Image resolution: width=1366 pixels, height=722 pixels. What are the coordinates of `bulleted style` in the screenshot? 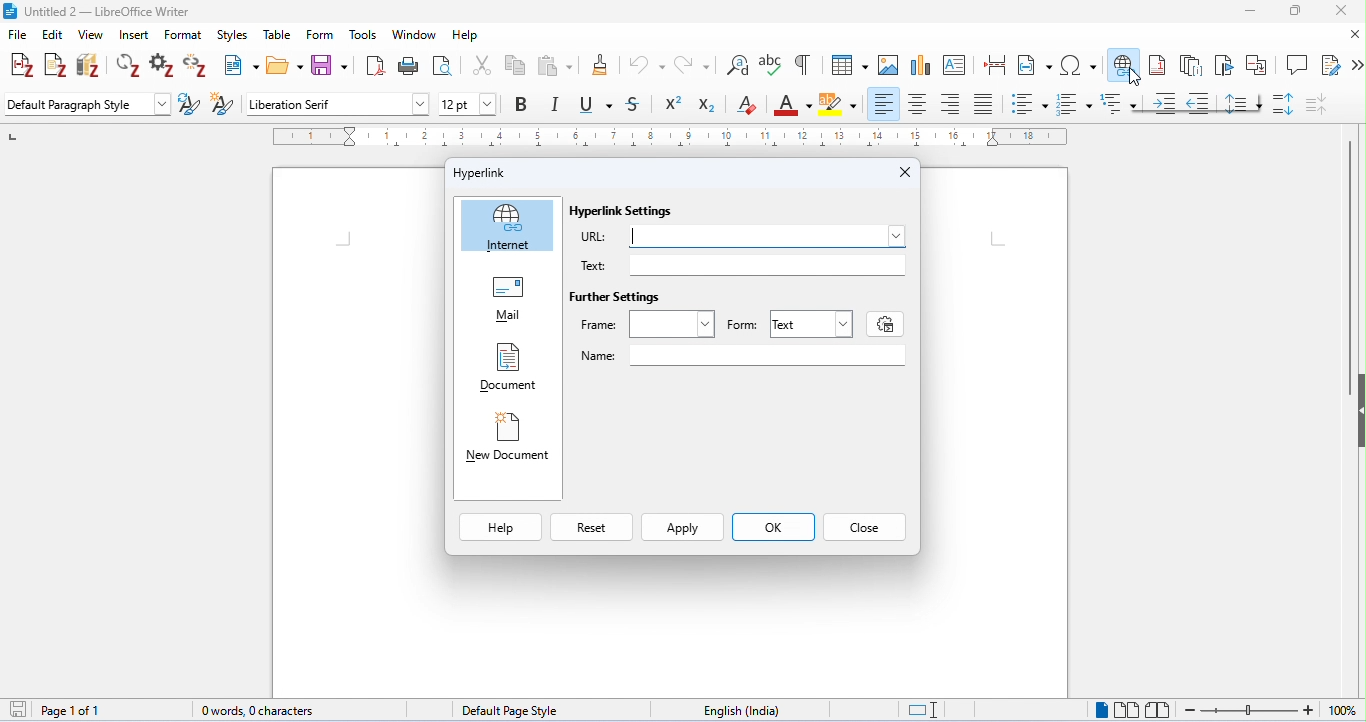 It's located at (1031, 105).